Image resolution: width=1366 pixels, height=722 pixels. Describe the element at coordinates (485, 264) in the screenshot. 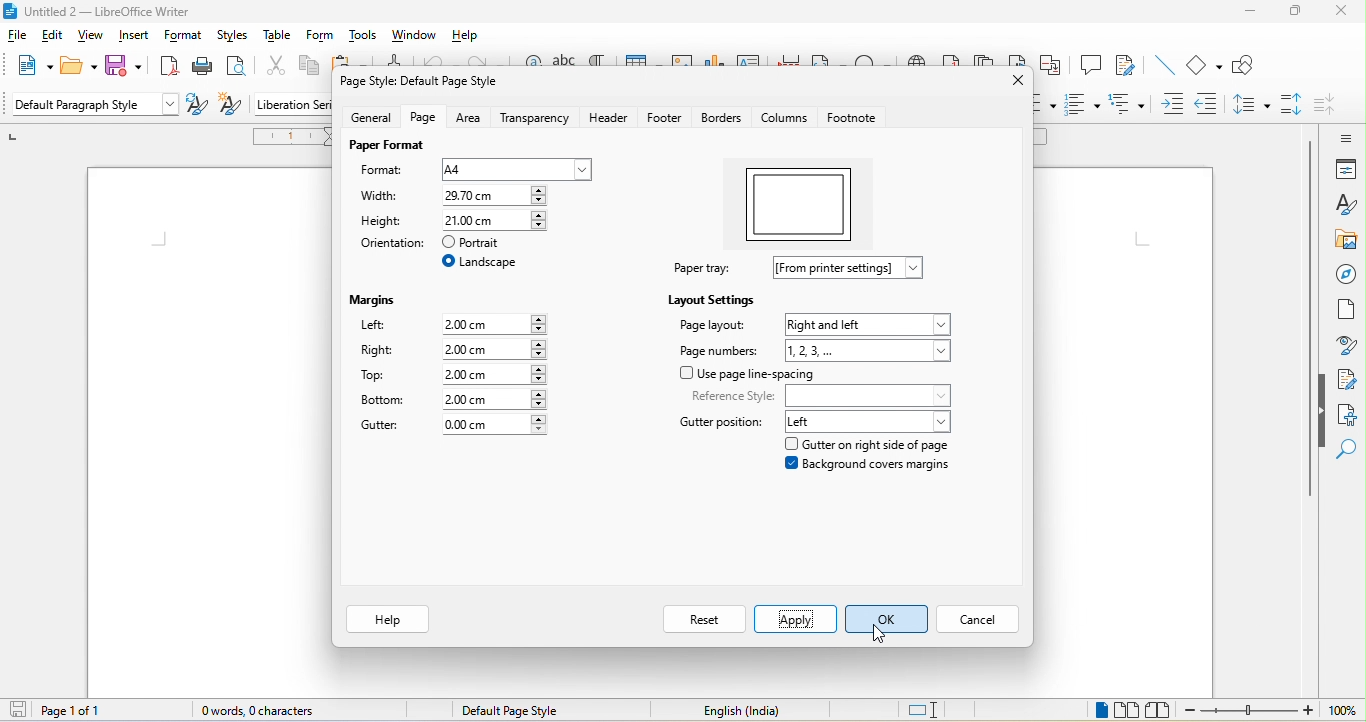

I see `select landscape orientation` at that location.